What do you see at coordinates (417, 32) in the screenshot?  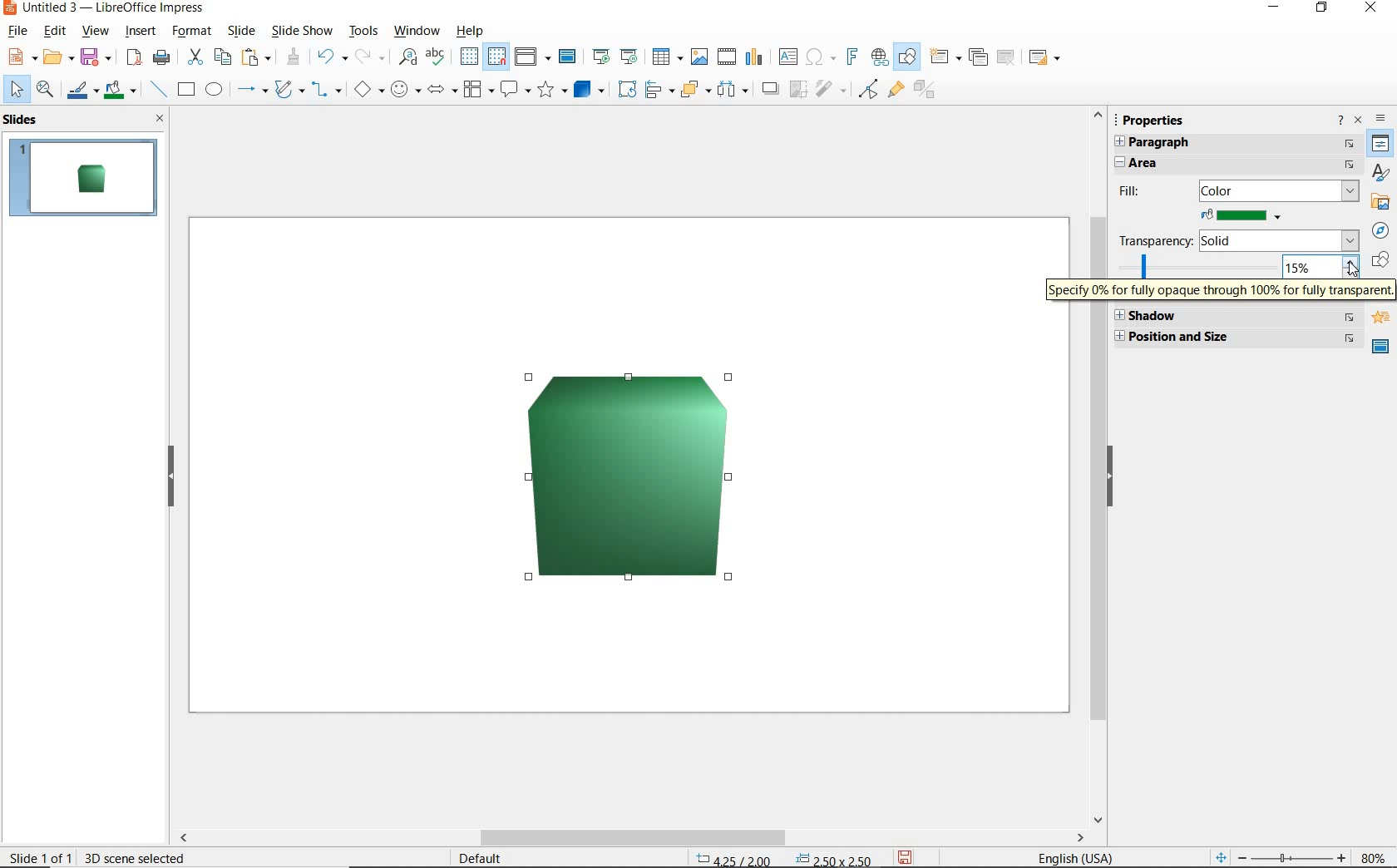 I see `window` at bounding box center [417, 32].